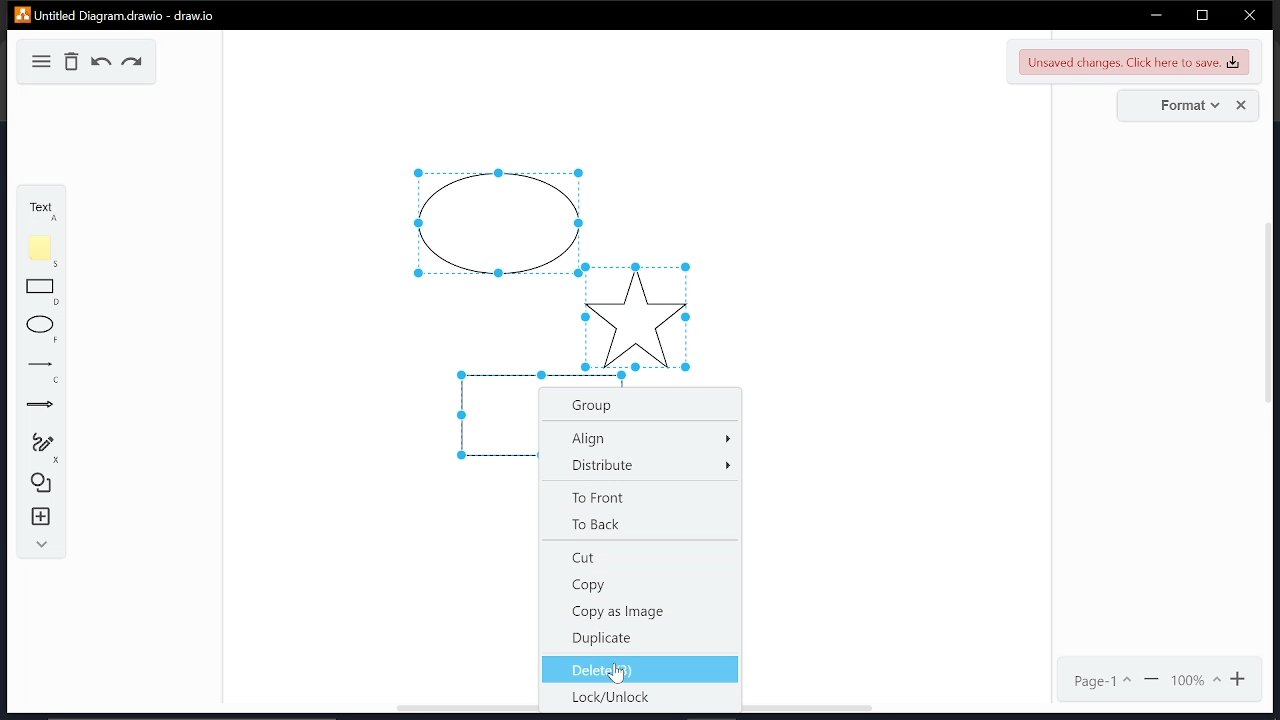 The image size is (1280, 720). Describe the element at coordinates (40, 61) in the screenshot. I see `diagram` at that location.